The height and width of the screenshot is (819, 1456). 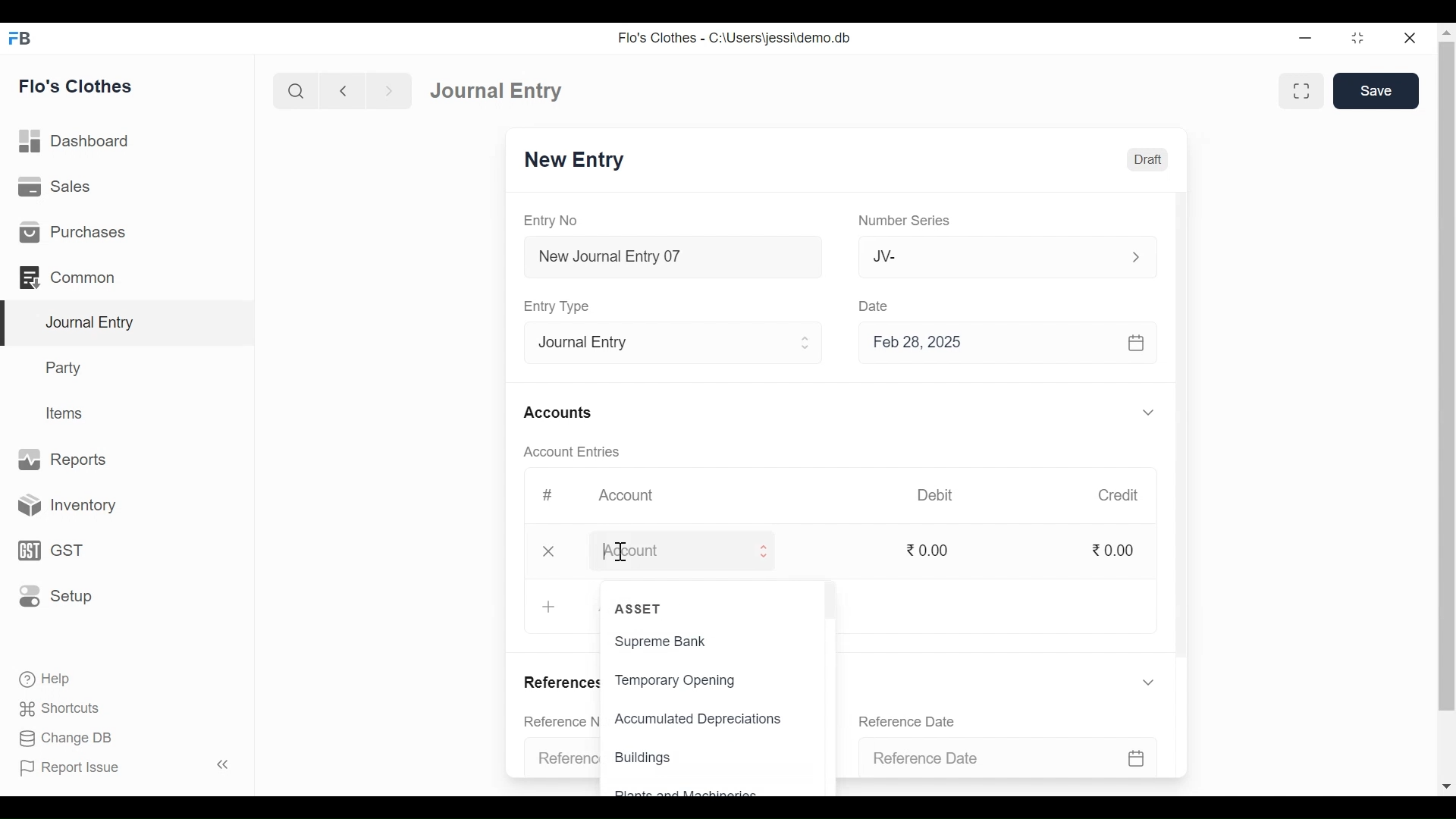 I want to click on Expand, so click(x=1140, y=257).